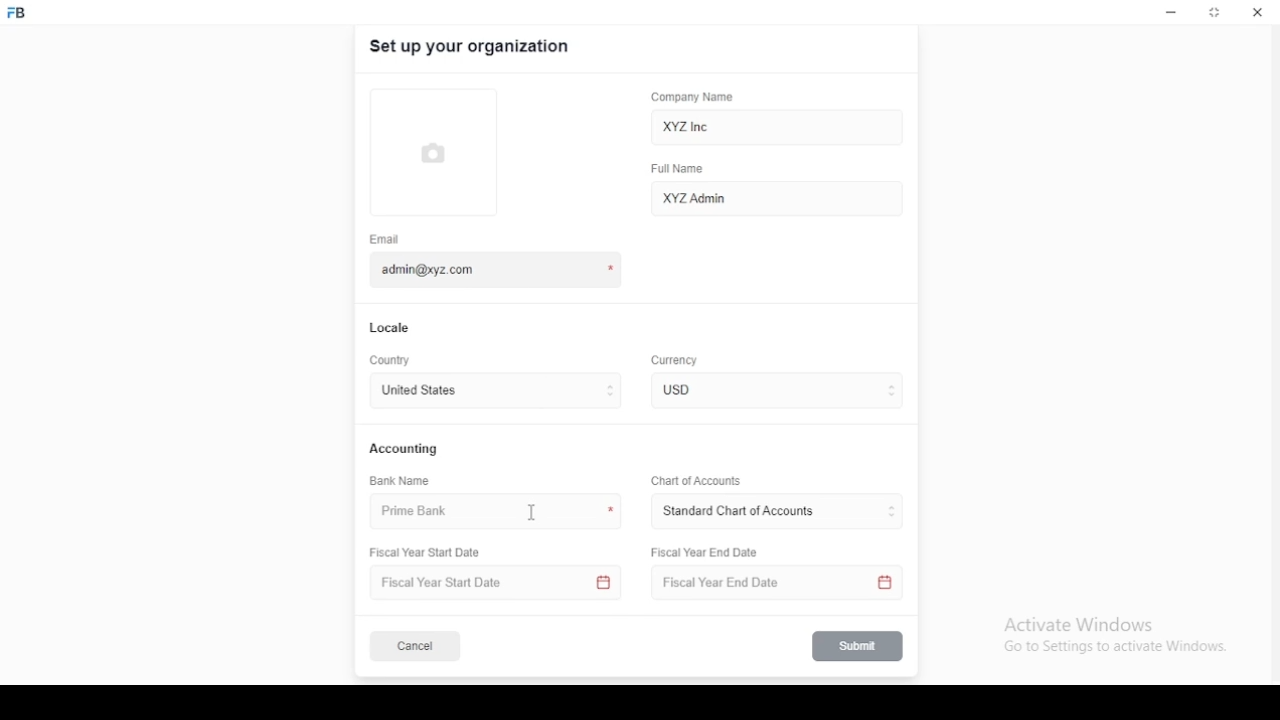 The width and height of the screenshot is (1280, 720). I want to click on XYZ Admin, so click(777, 197).